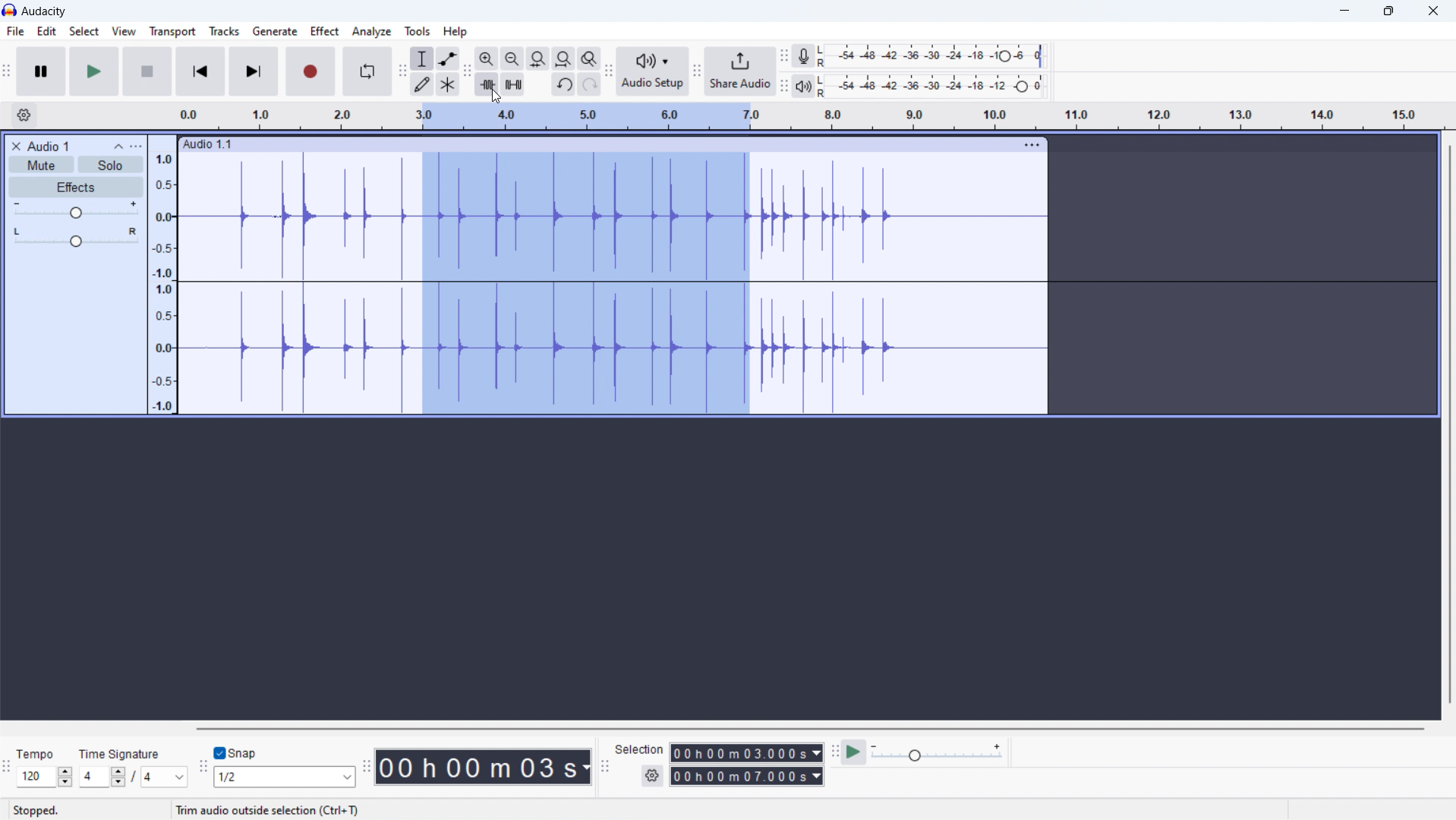  What do you see at coordinates (41, 165) in the screenshot?
I see `mute` at bounding box center [41, 165].